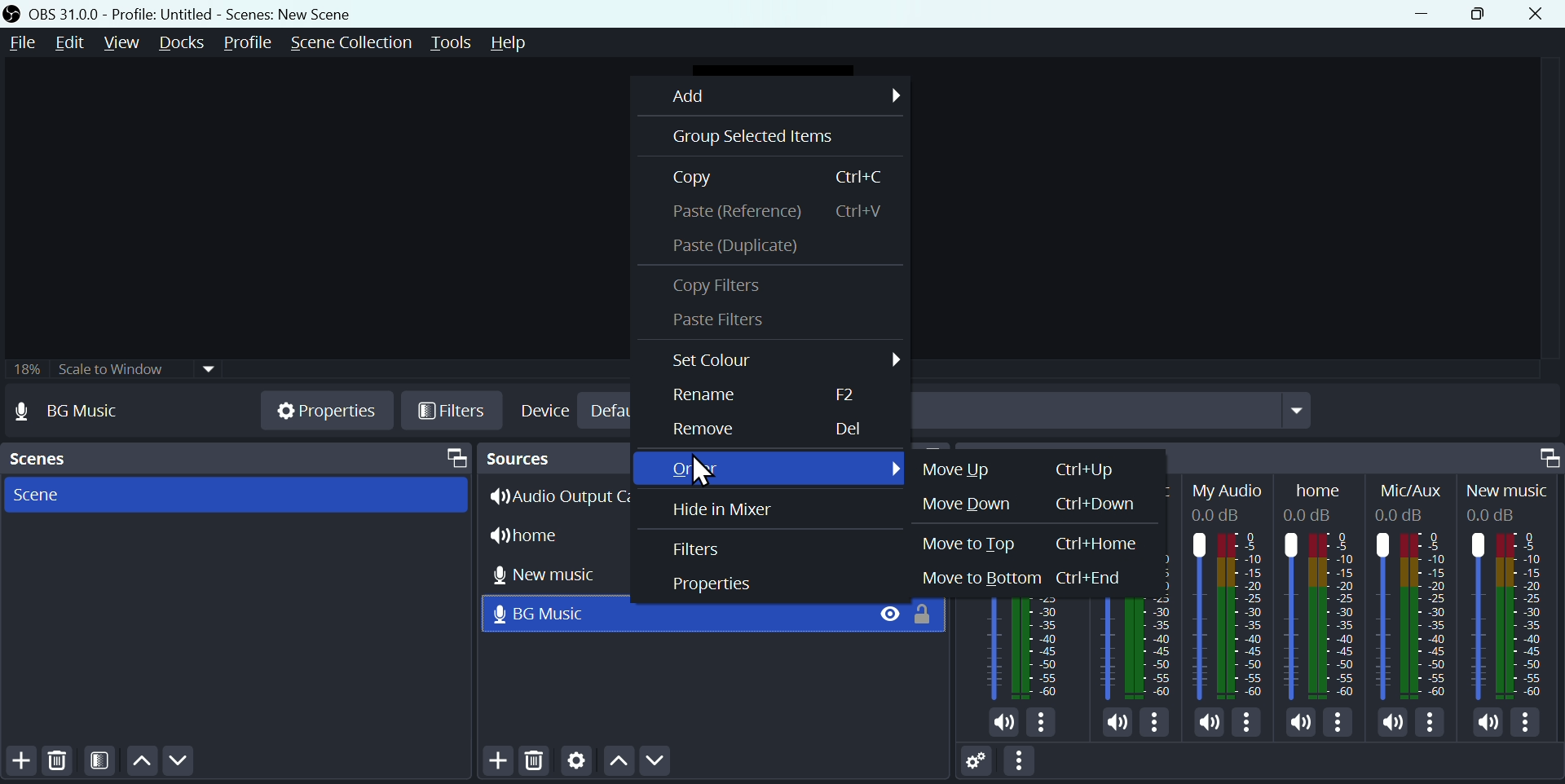 This screenshot has height=784, width=1565. Describe the element at coordinates (209, 12) in the screenshot. I see `OBS 30.0 .0 profile untitled scenes new scenes` at that location.